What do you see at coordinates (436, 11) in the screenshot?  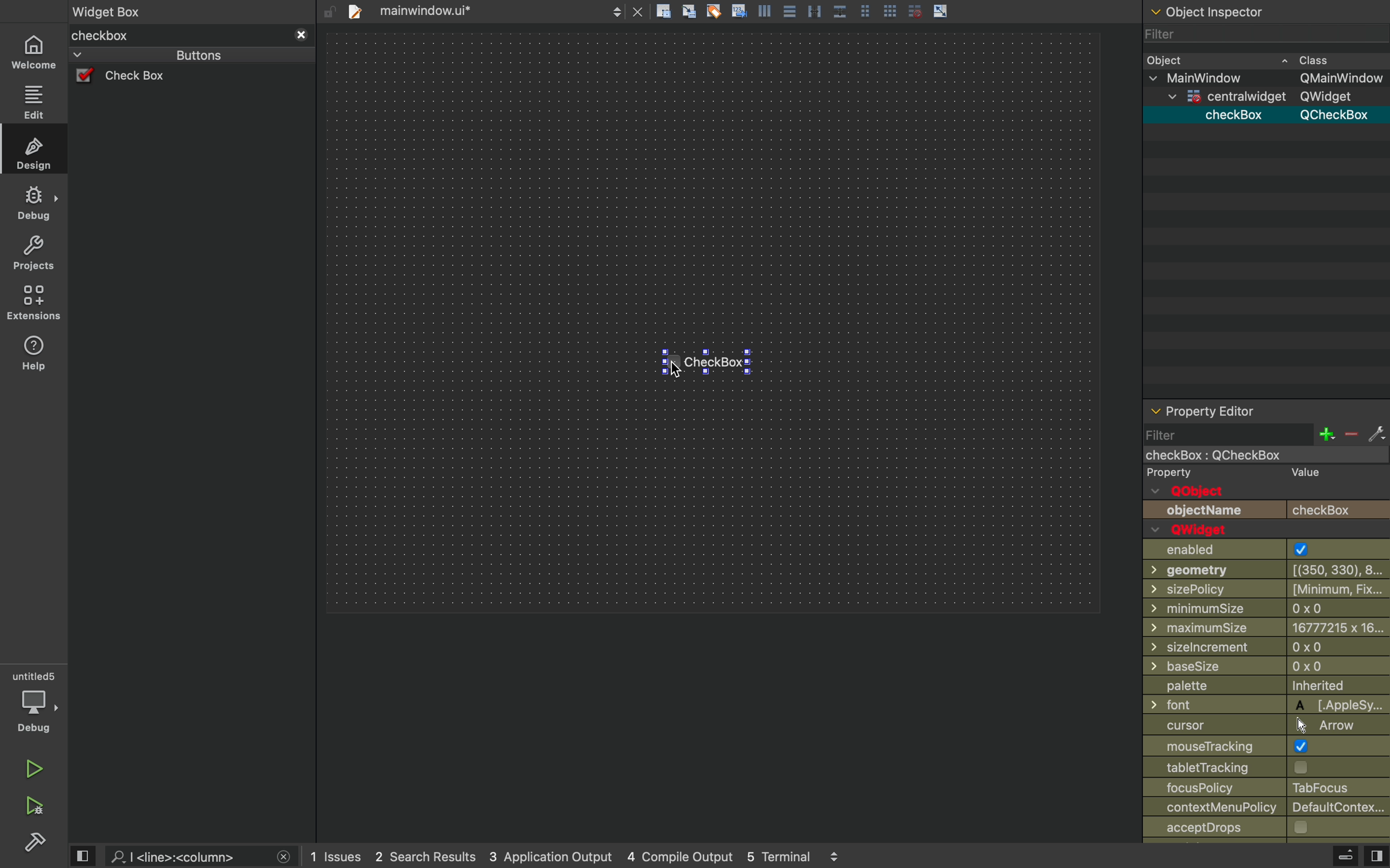 I see `file tab` at bounding box center [436, 11].